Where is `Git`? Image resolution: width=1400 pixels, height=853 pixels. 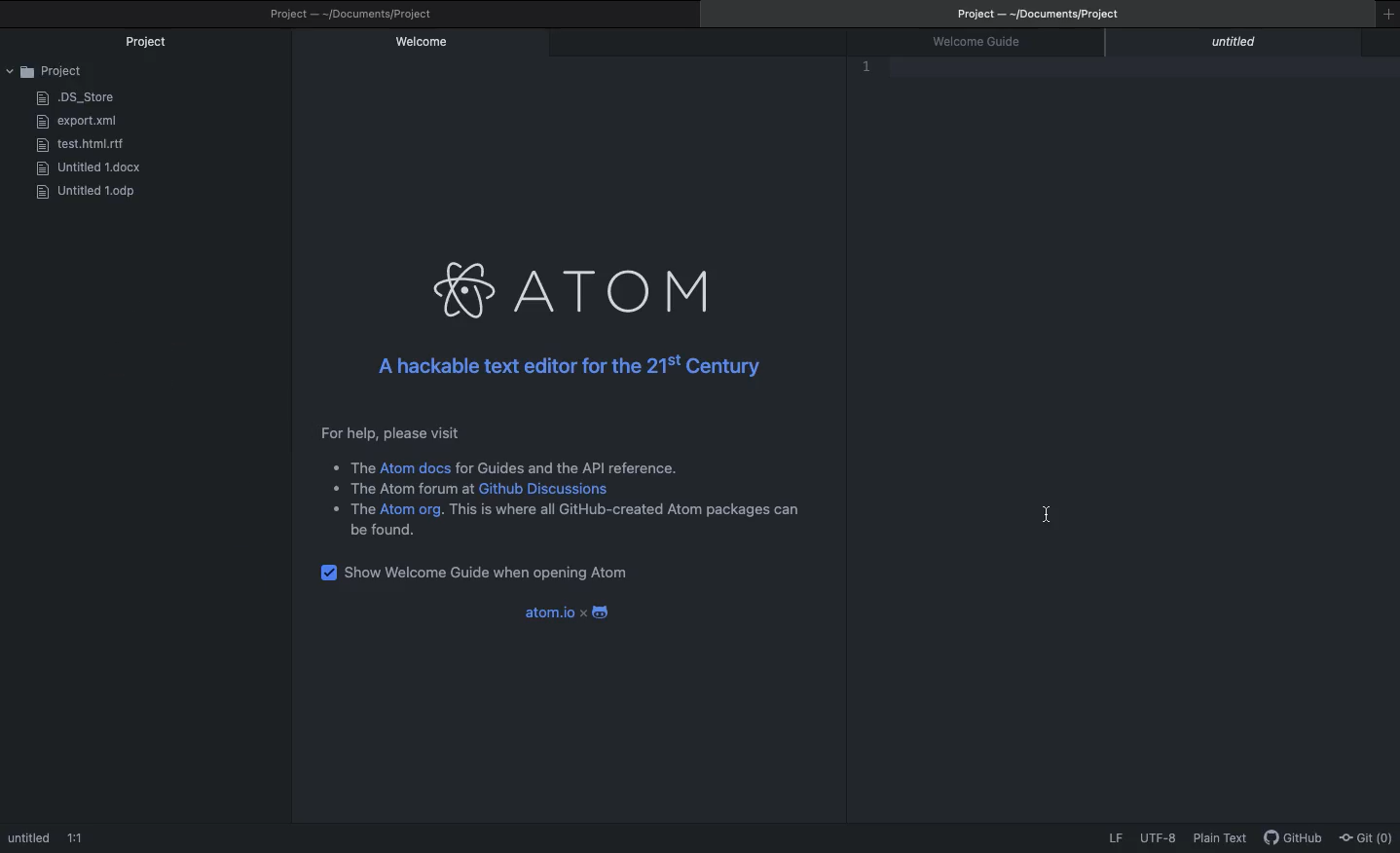 Git is located at coordinates (1369, 836).